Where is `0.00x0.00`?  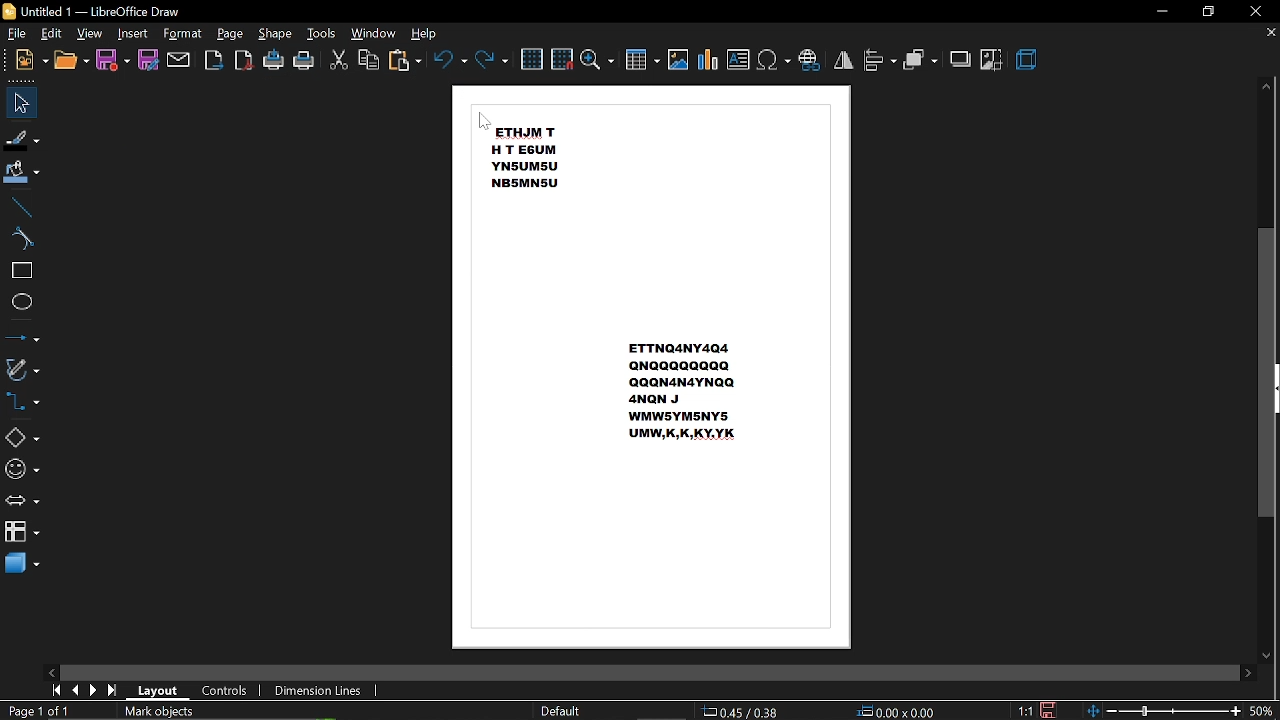 0.00x0.00 is located at coordinates (895, 709).